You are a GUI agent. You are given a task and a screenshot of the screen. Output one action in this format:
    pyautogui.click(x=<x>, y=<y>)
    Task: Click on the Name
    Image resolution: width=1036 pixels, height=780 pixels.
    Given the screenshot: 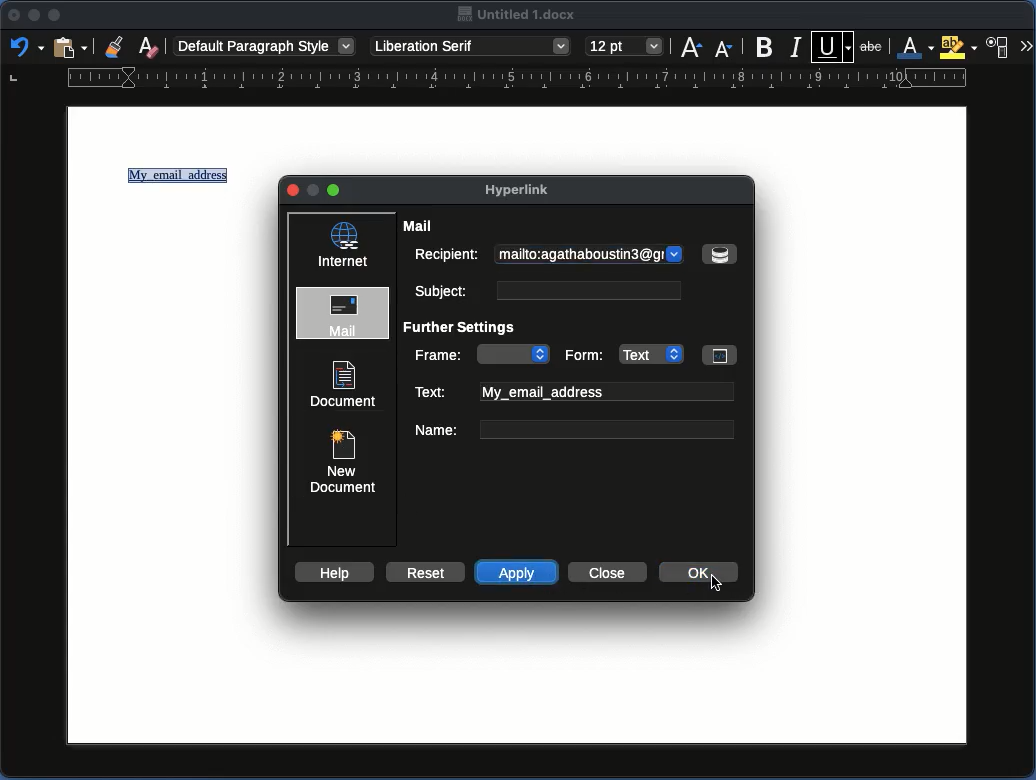 What is the action you would take?
    pyautogui.click(x=573, y=429)
    